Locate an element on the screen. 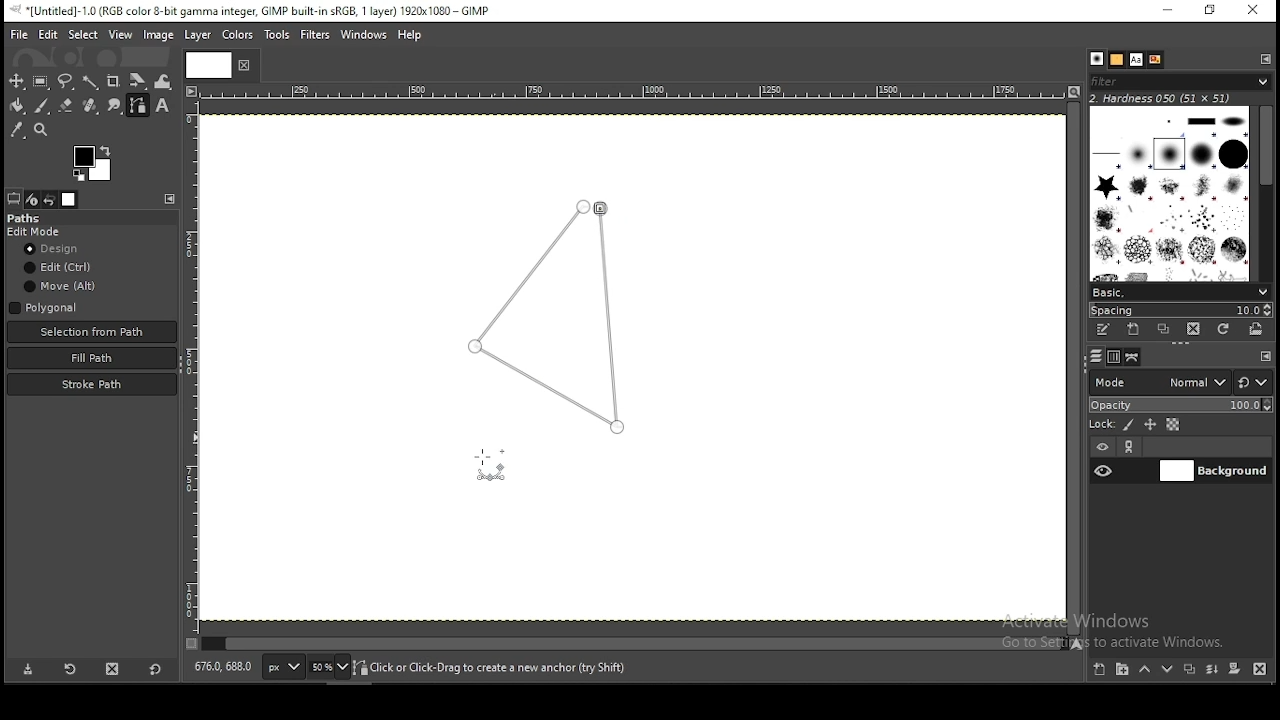  edit is located at coordinates (47, 35).